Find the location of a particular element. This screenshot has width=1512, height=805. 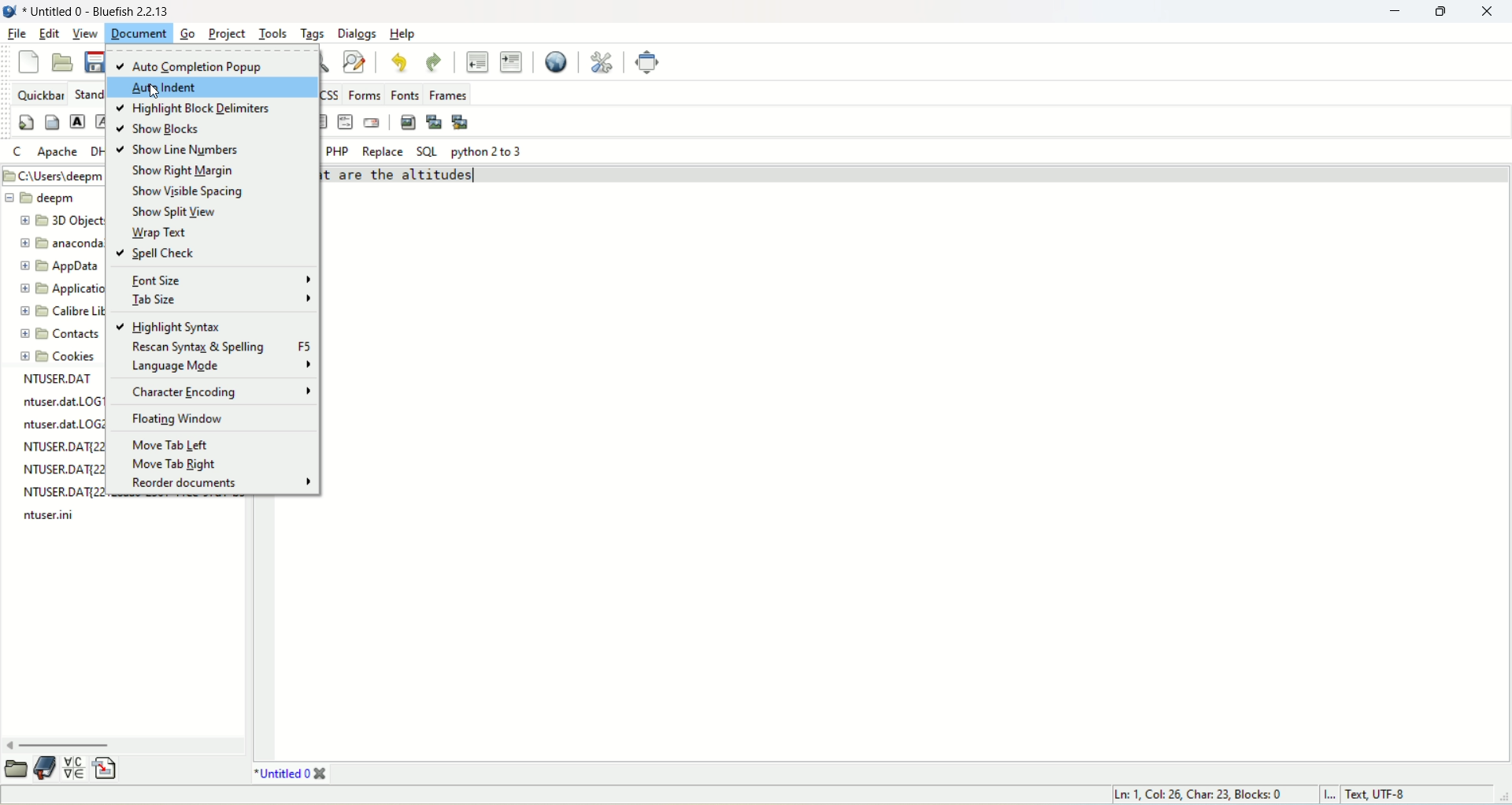

view is located at coordinates (82, 33).